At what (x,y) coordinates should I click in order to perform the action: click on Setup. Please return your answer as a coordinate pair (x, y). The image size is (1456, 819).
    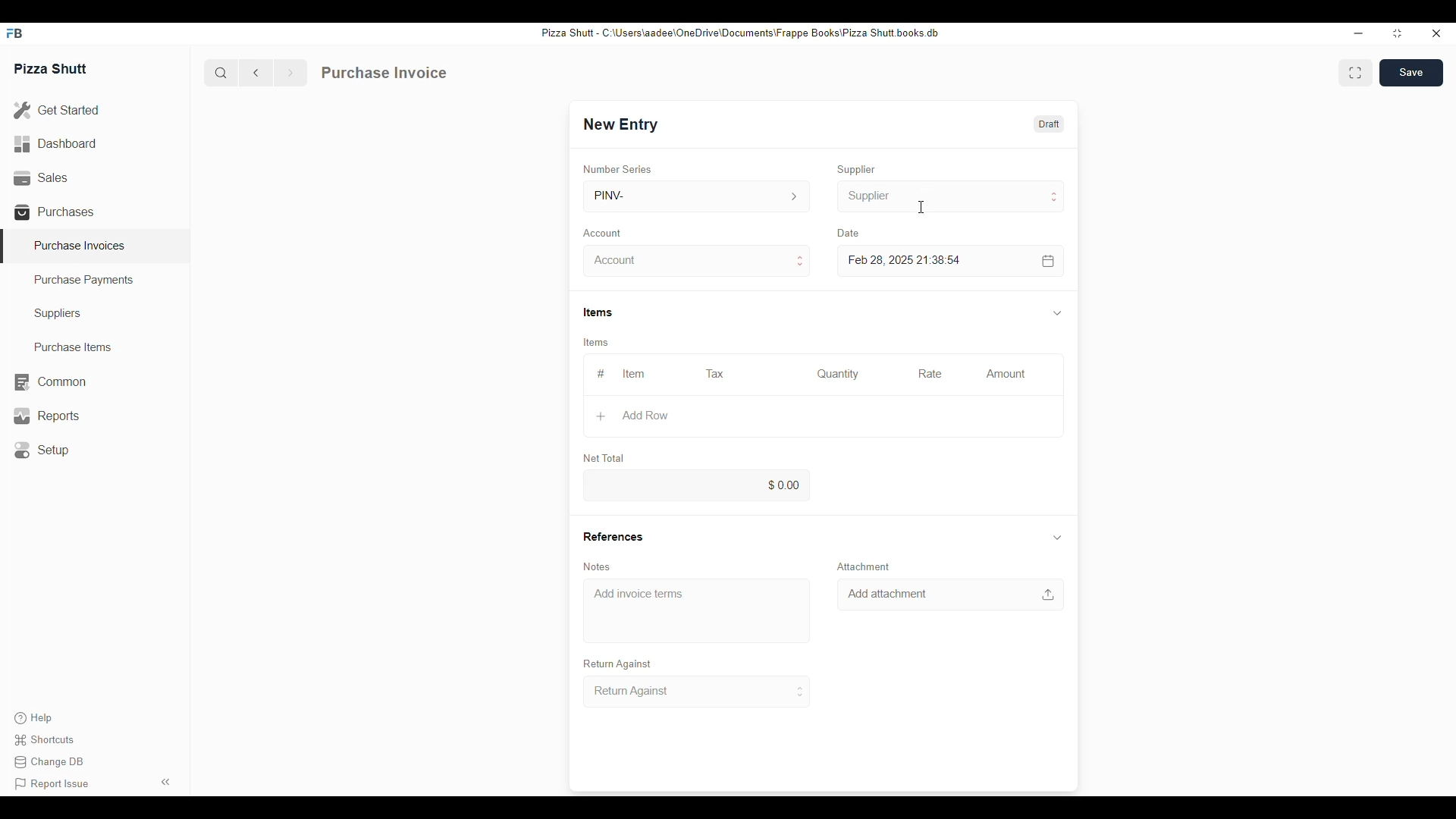
    Looking at the image, I should click on (45, 450).